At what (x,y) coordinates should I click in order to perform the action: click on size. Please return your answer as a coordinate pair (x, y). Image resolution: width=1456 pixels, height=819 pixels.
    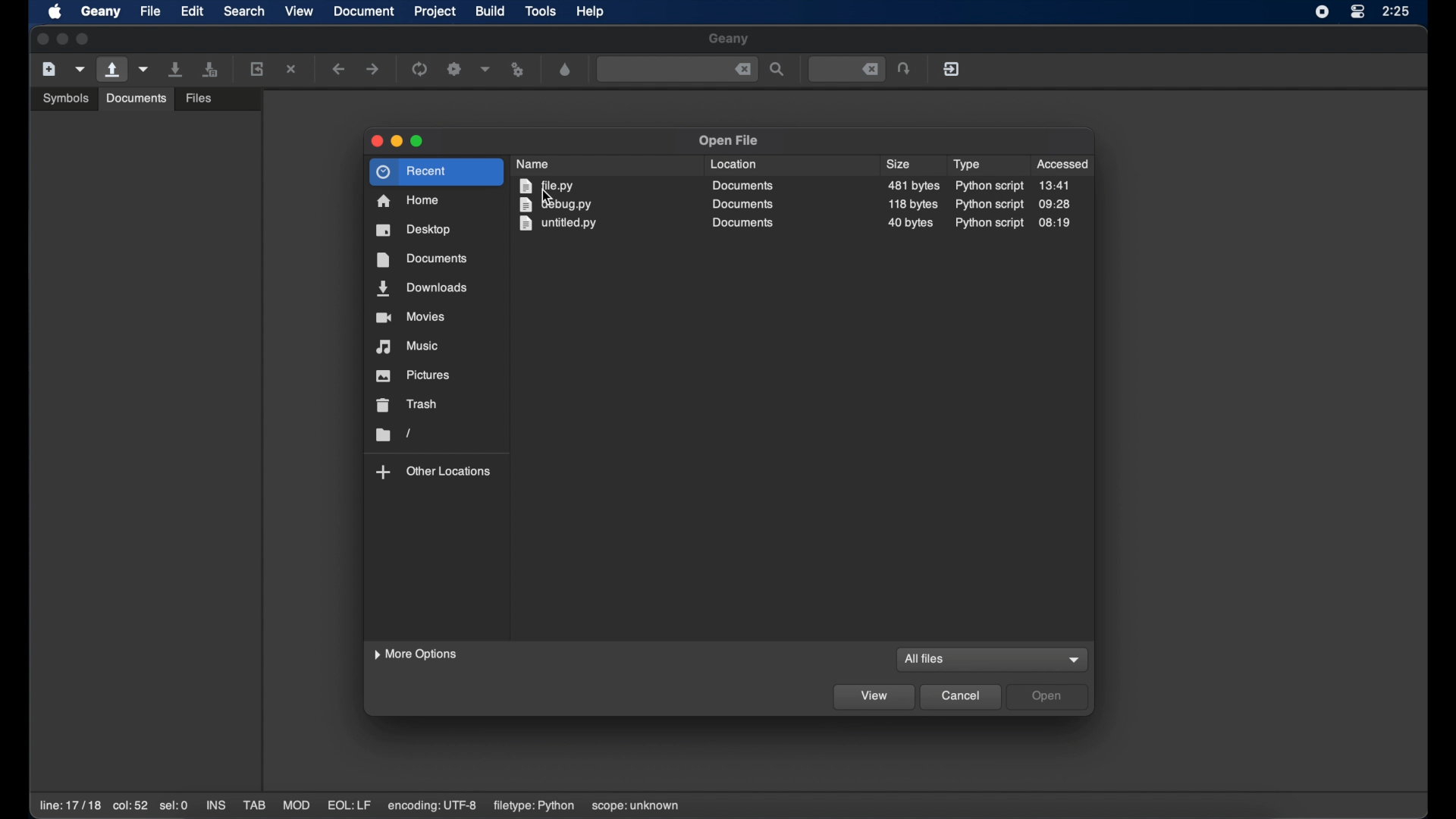
    Looking at the image, I should click on (900, 165).